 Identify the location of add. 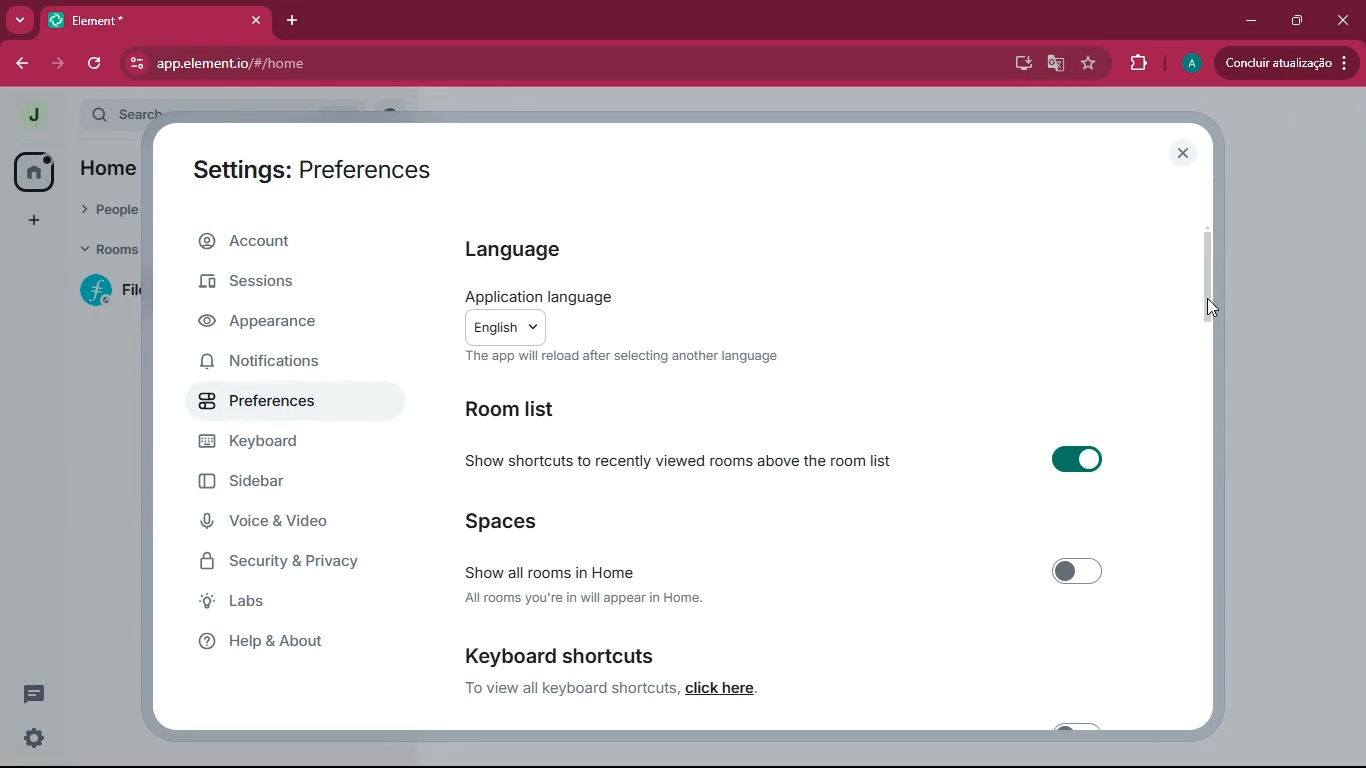
(32, 220).